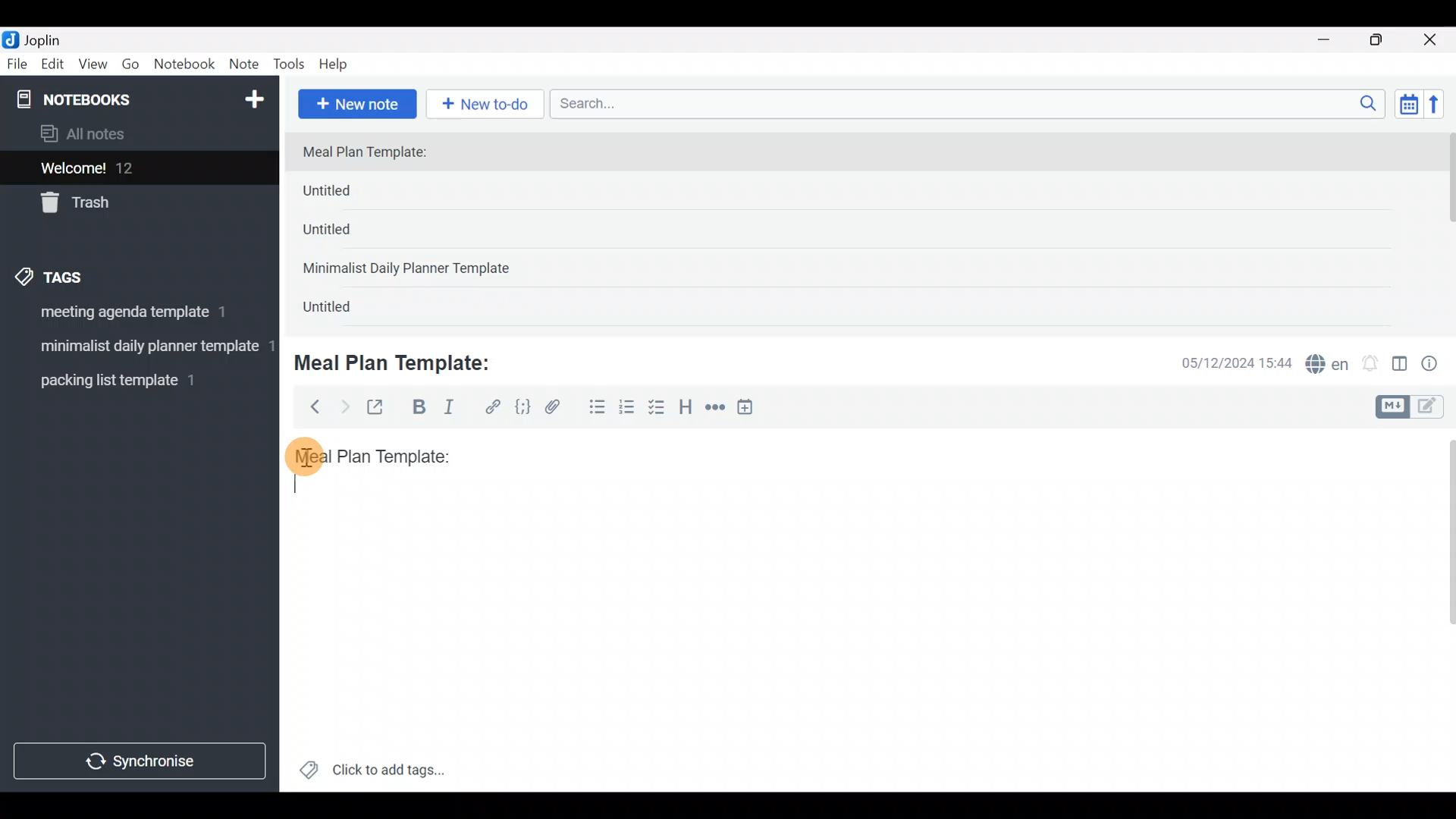  Describe the element at coordinates (715, 409) in the screenshot. I see `Horizontal rule` at that location.